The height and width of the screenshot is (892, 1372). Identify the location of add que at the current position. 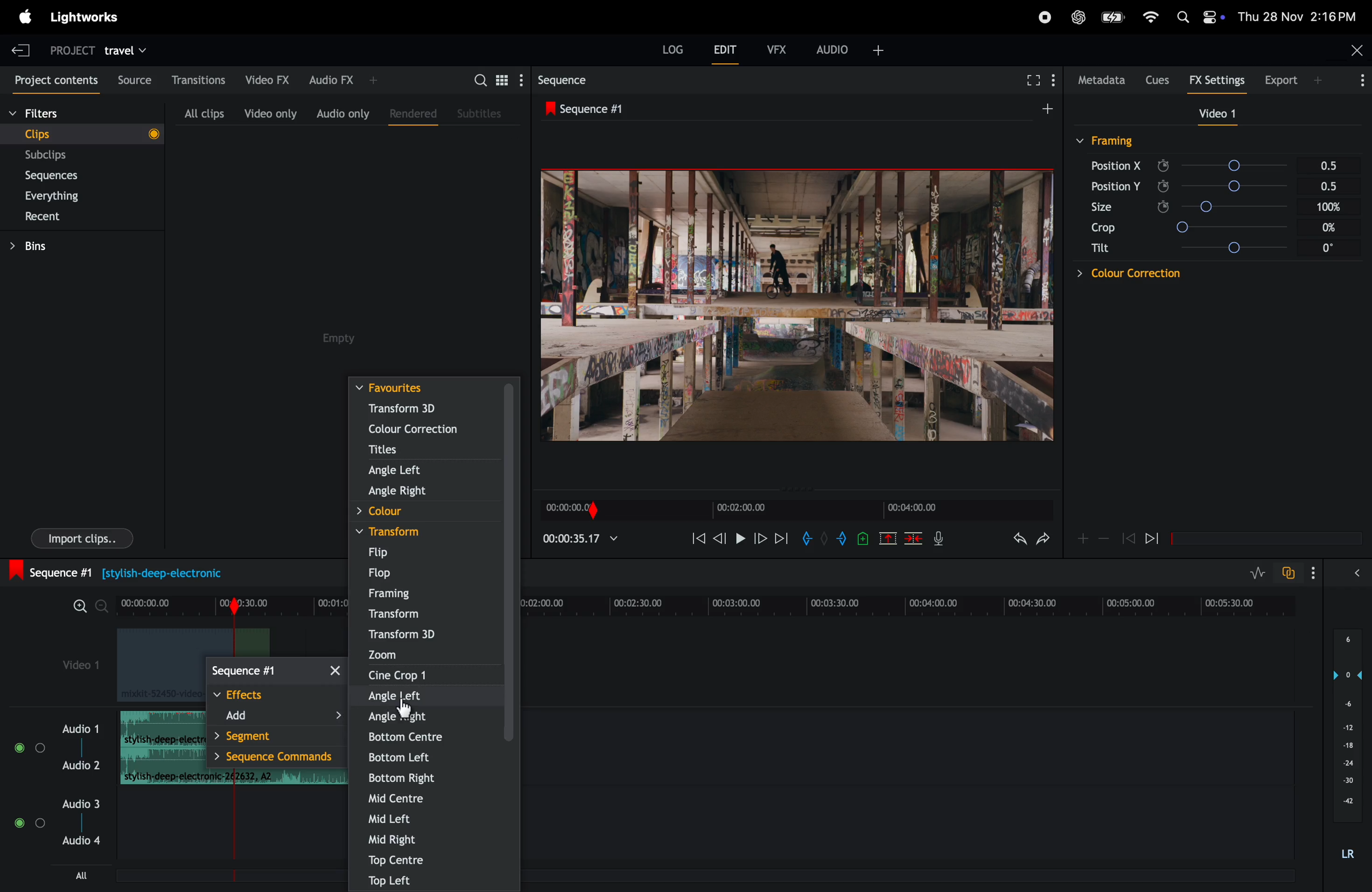
(864, 538).